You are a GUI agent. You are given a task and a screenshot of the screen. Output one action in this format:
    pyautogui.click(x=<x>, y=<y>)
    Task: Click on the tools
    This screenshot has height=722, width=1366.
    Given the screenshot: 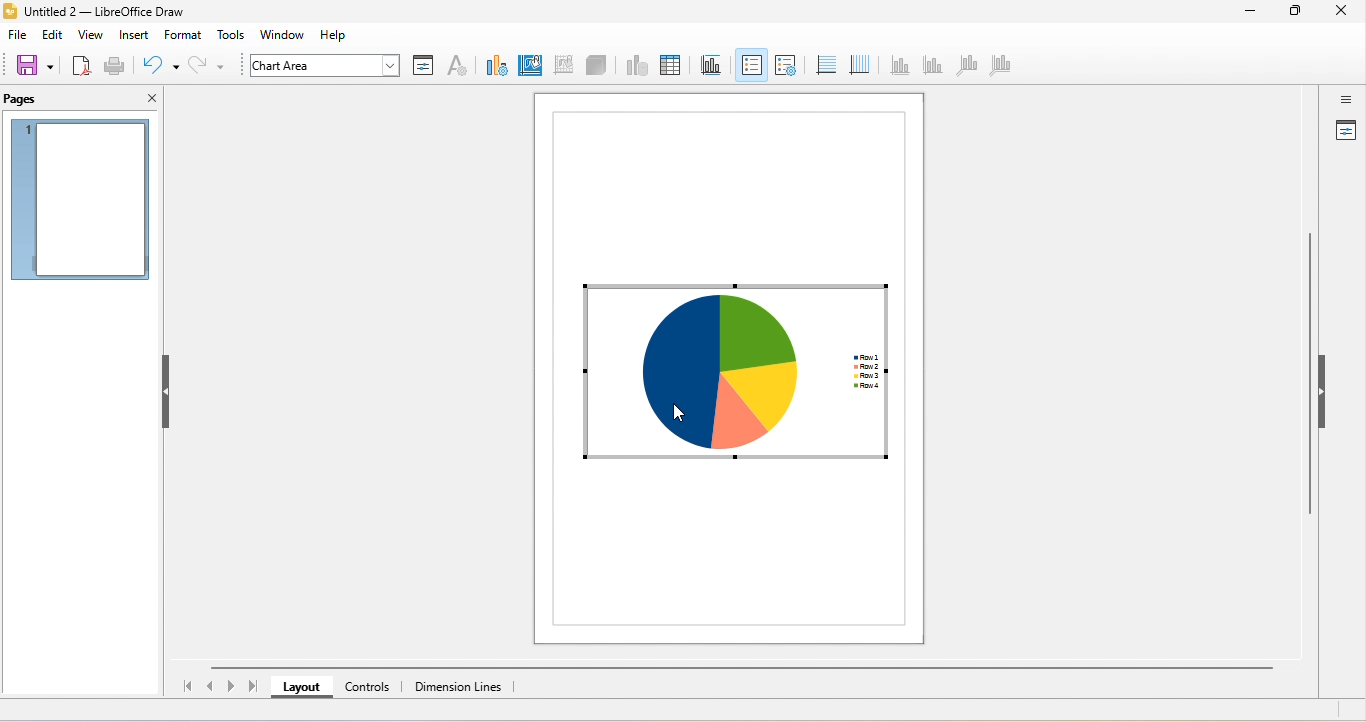 What is the action you would take?
    pyautogui.click(x=232, y=36)
    